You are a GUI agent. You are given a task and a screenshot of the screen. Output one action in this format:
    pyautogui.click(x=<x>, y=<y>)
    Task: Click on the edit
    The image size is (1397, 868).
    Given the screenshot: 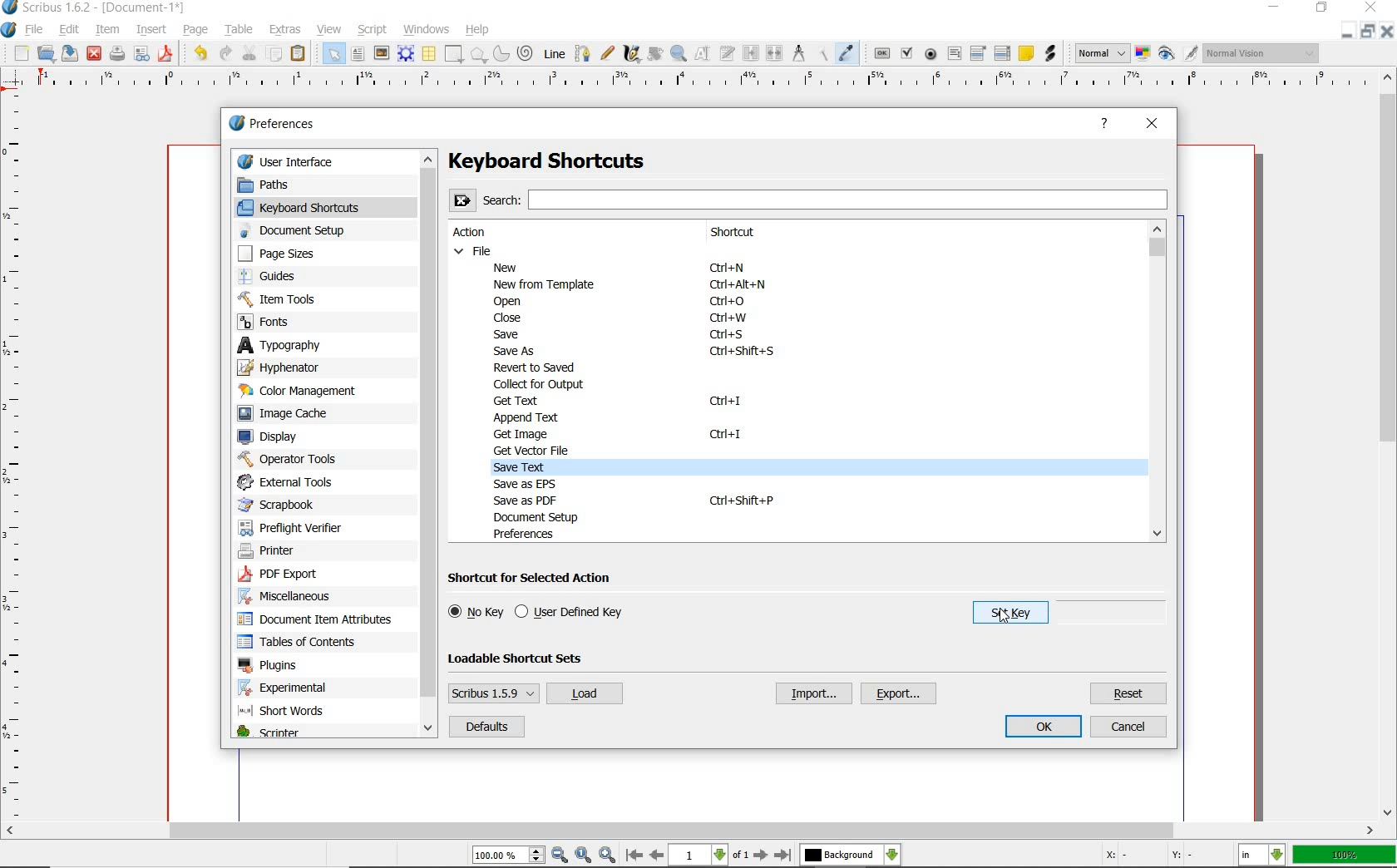 What is the action you would take?
    pyautogui.click(x=71, y=29)
    